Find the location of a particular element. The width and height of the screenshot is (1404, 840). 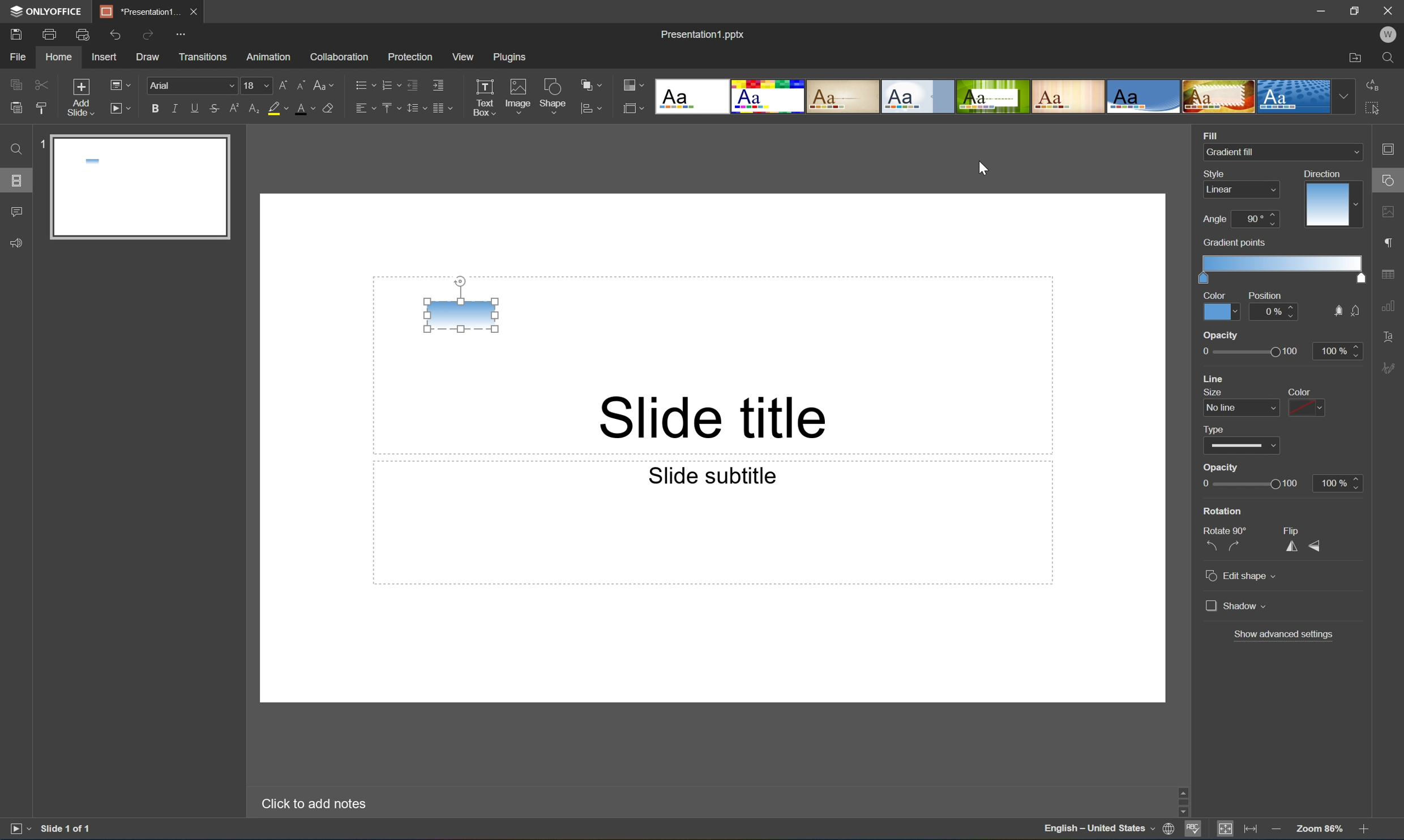

Paste is located at coordinates (13, 108).